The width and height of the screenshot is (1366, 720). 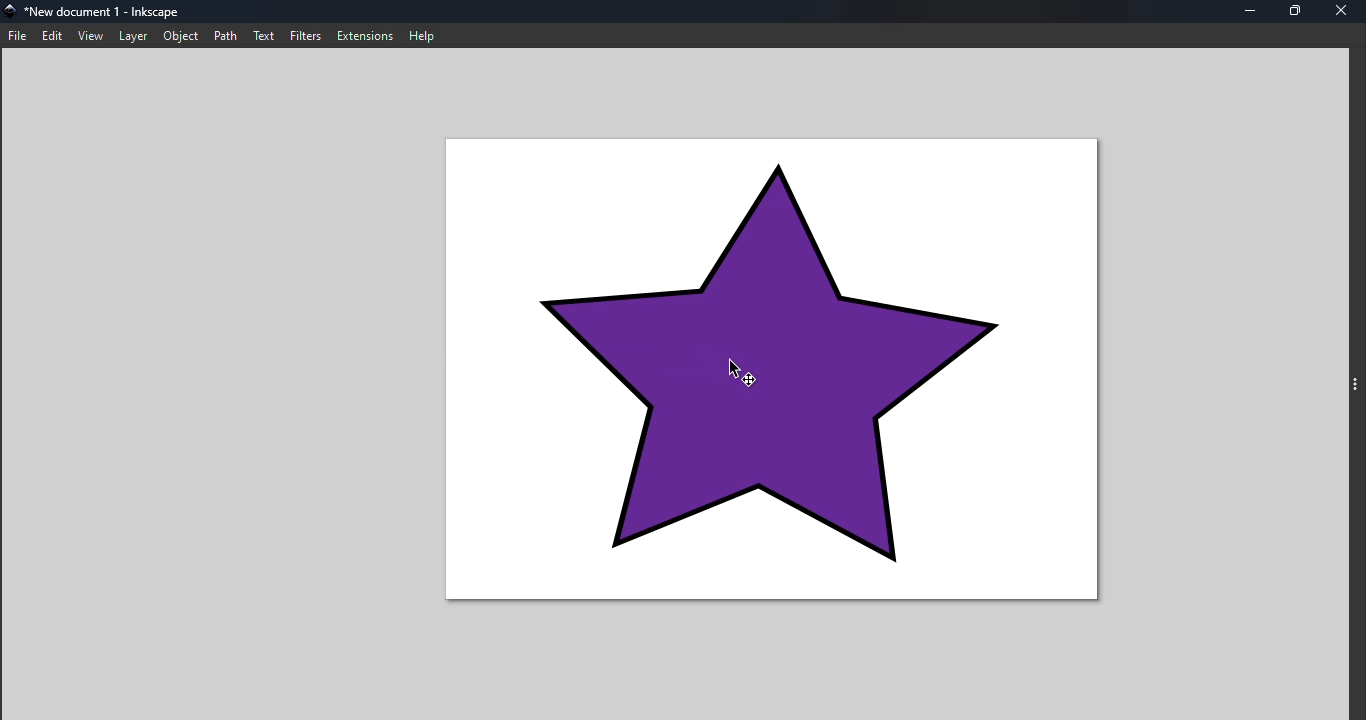 I want to click on Edit, so click(x=52, y=36).